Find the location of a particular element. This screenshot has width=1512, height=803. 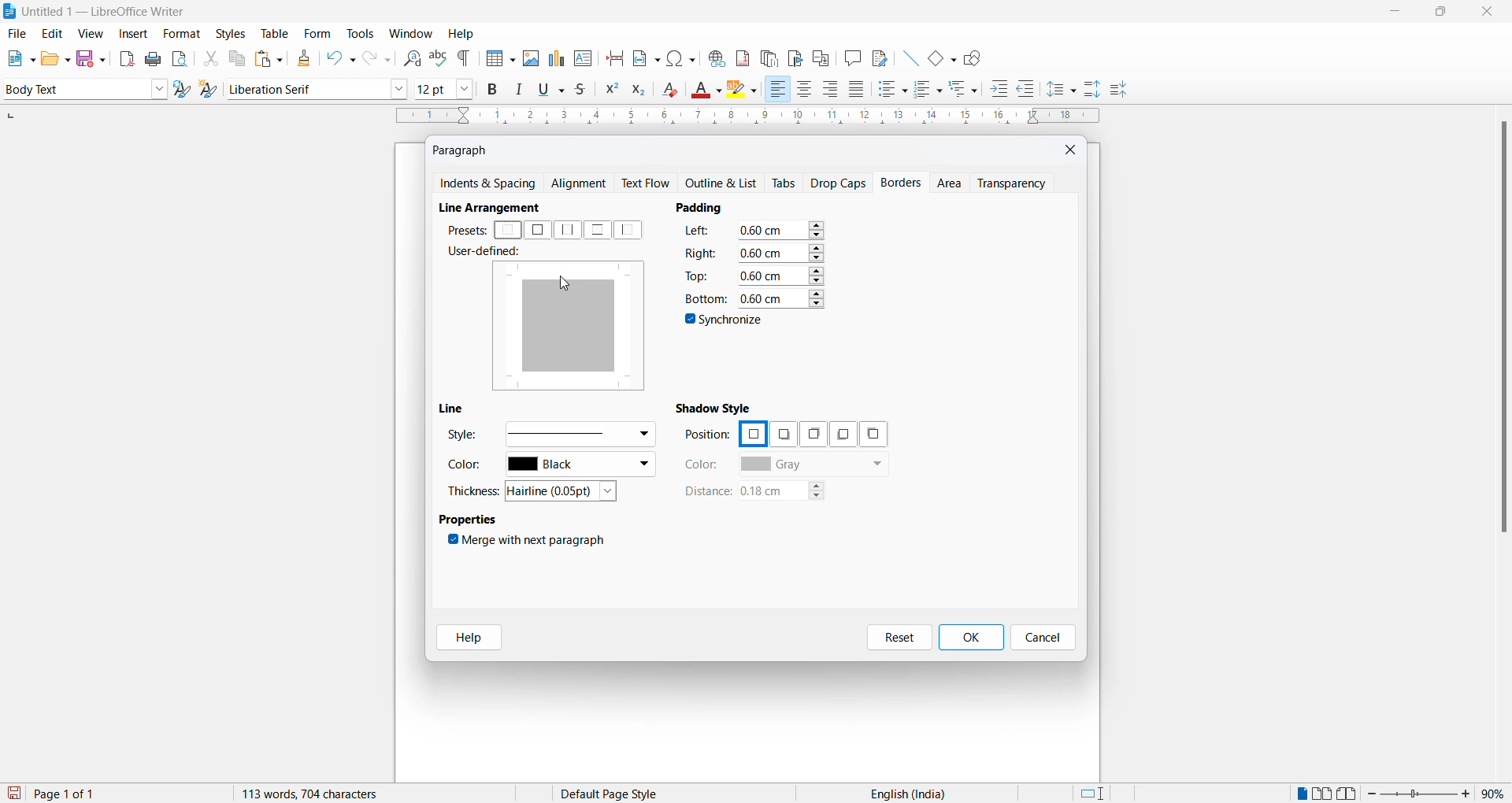

print is located at coordinates (154, 59).